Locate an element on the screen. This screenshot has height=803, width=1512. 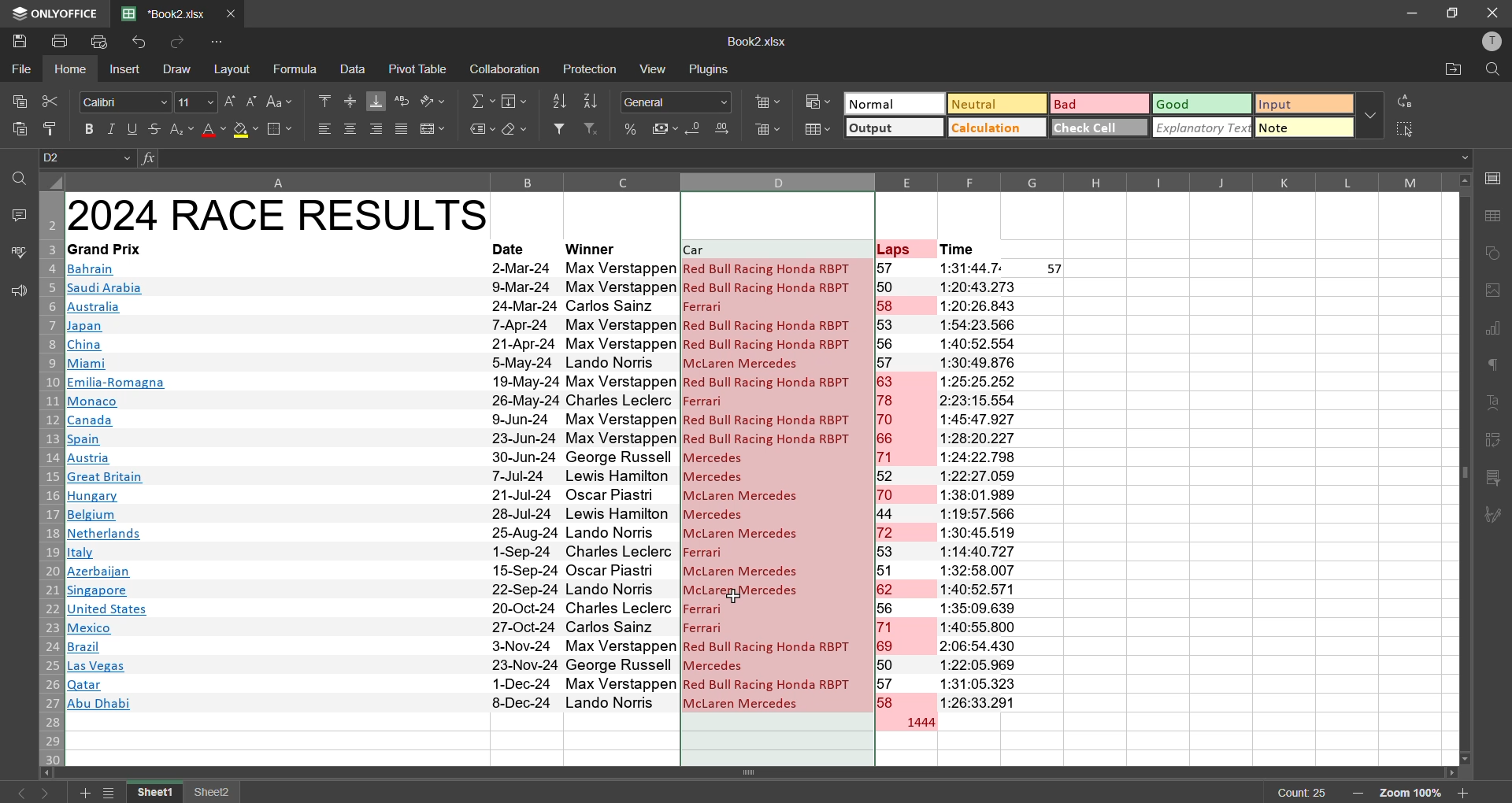
check cell is located at coordinates (1096, 126).